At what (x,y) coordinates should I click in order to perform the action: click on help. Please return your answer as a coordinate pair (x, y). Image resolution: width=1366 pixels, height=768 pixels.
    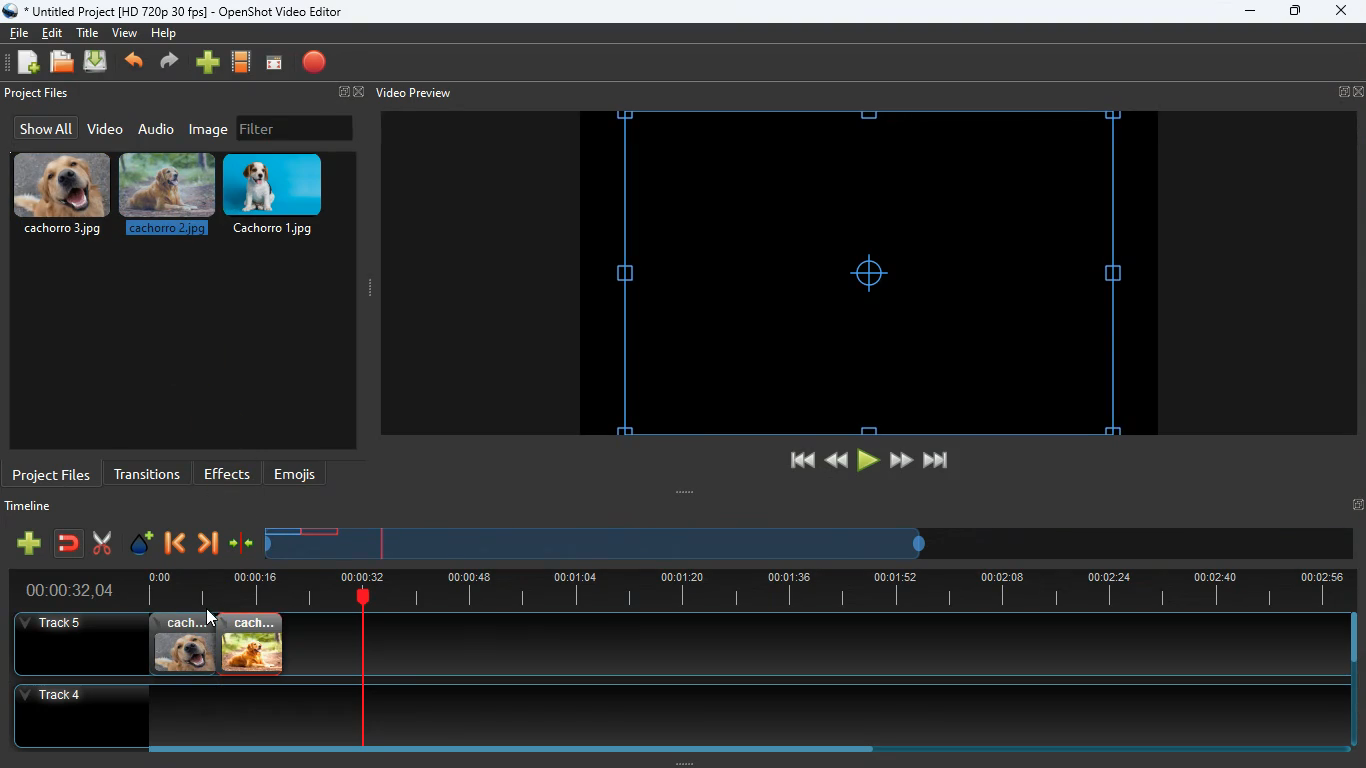
    Looking at the image, I should click on (163, 36).